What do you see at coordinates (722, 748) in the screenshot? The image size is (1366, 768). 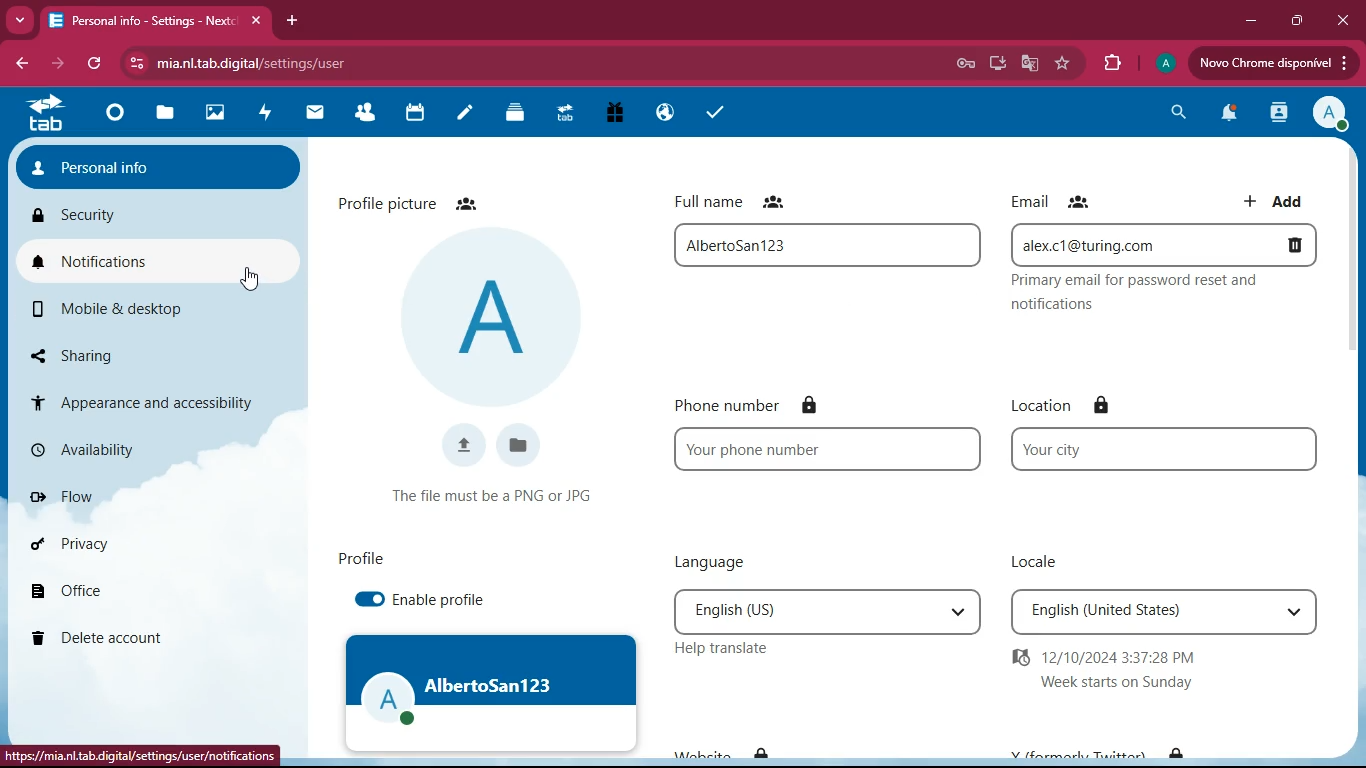 I see `website` at bounding box center [722, 748].